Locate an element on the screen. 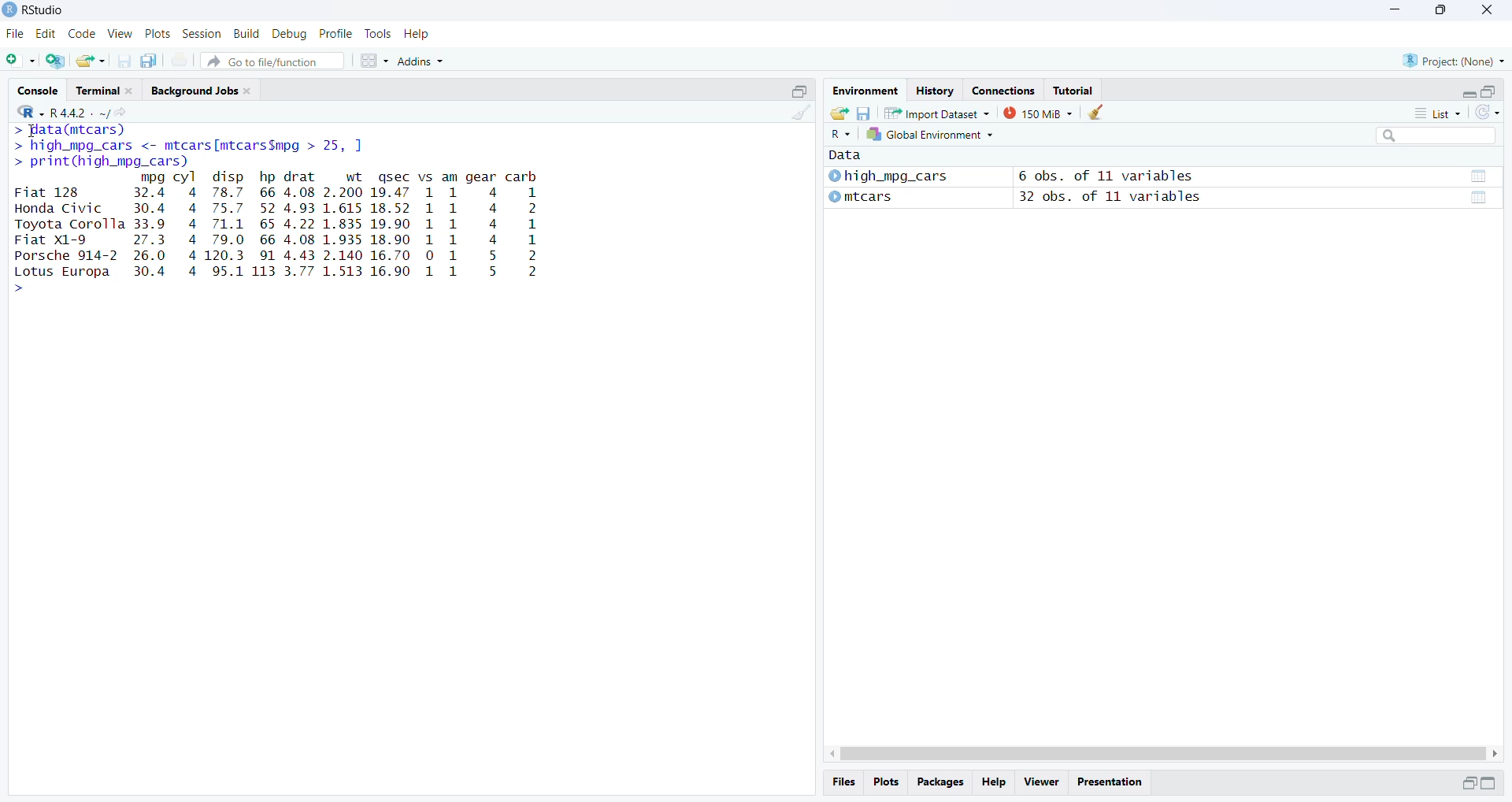 Image resolution: width=1512 pixels, height=802 pixels. © high_mpg_cars is located at coordinates (889, 176).